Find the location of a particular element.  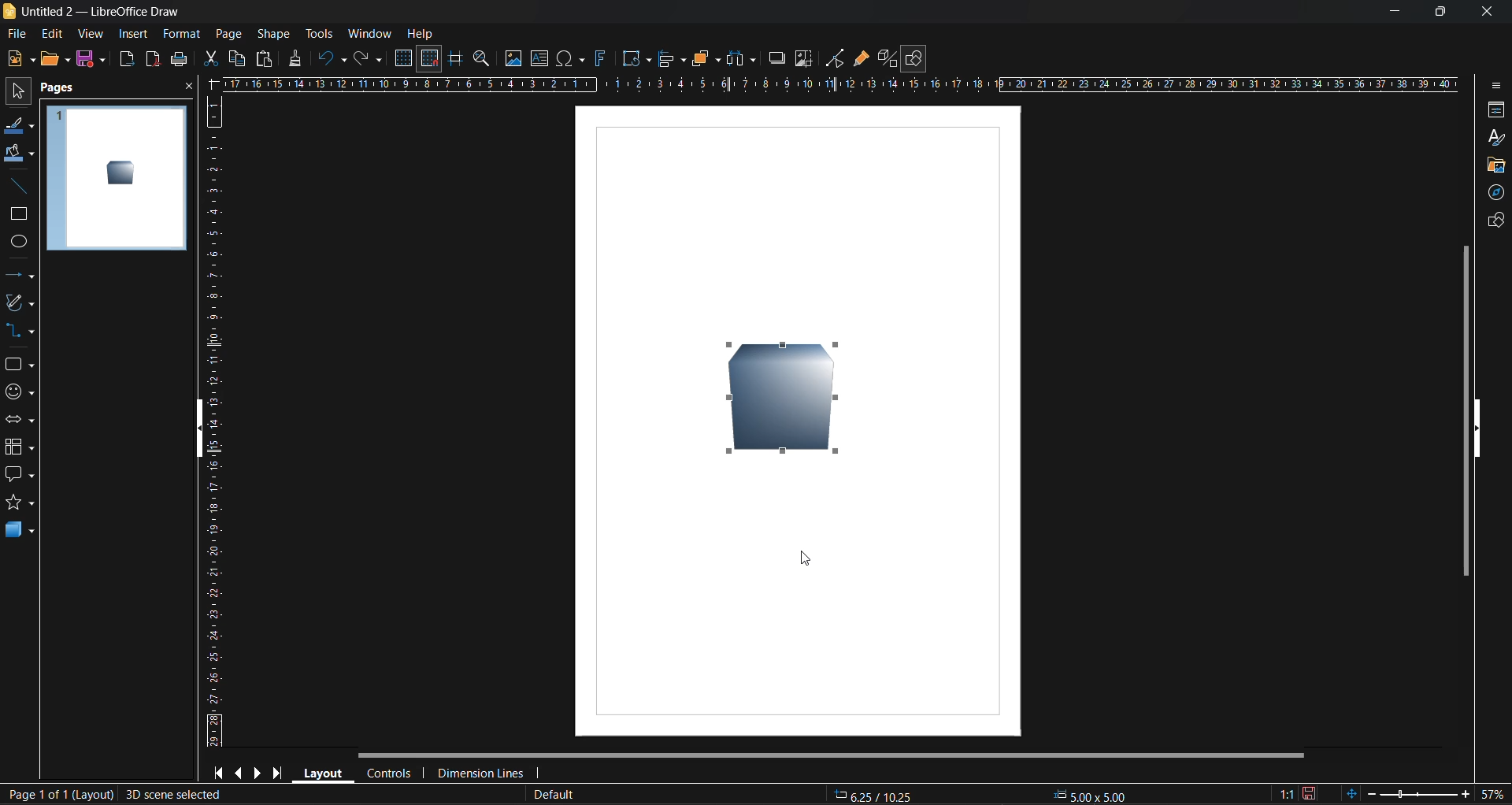

cube in page preview is located at coordinates (120, 172).